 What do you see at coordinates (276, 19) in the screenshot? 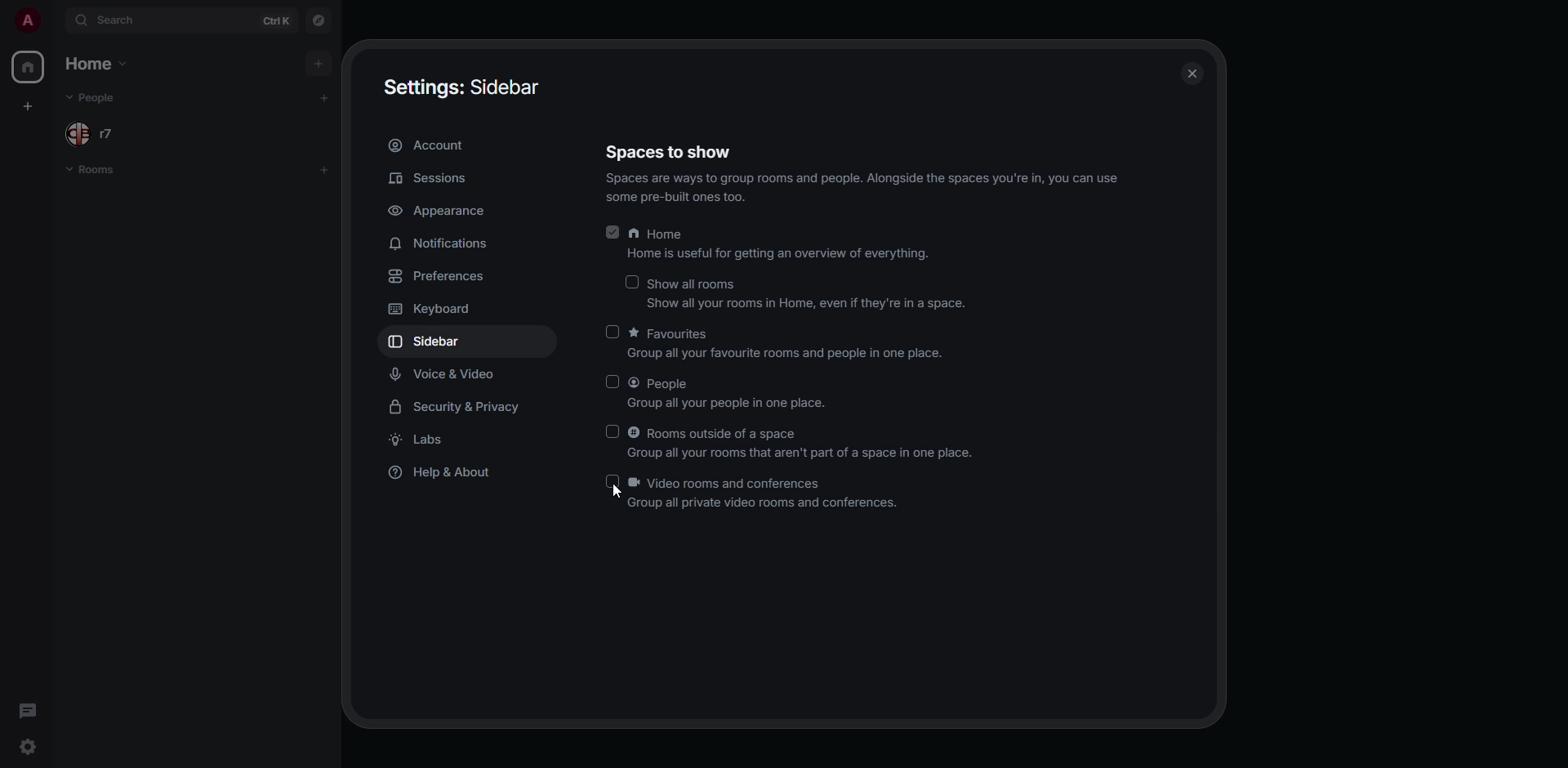
I see `ctrl K` at bounding box center [276, 19].